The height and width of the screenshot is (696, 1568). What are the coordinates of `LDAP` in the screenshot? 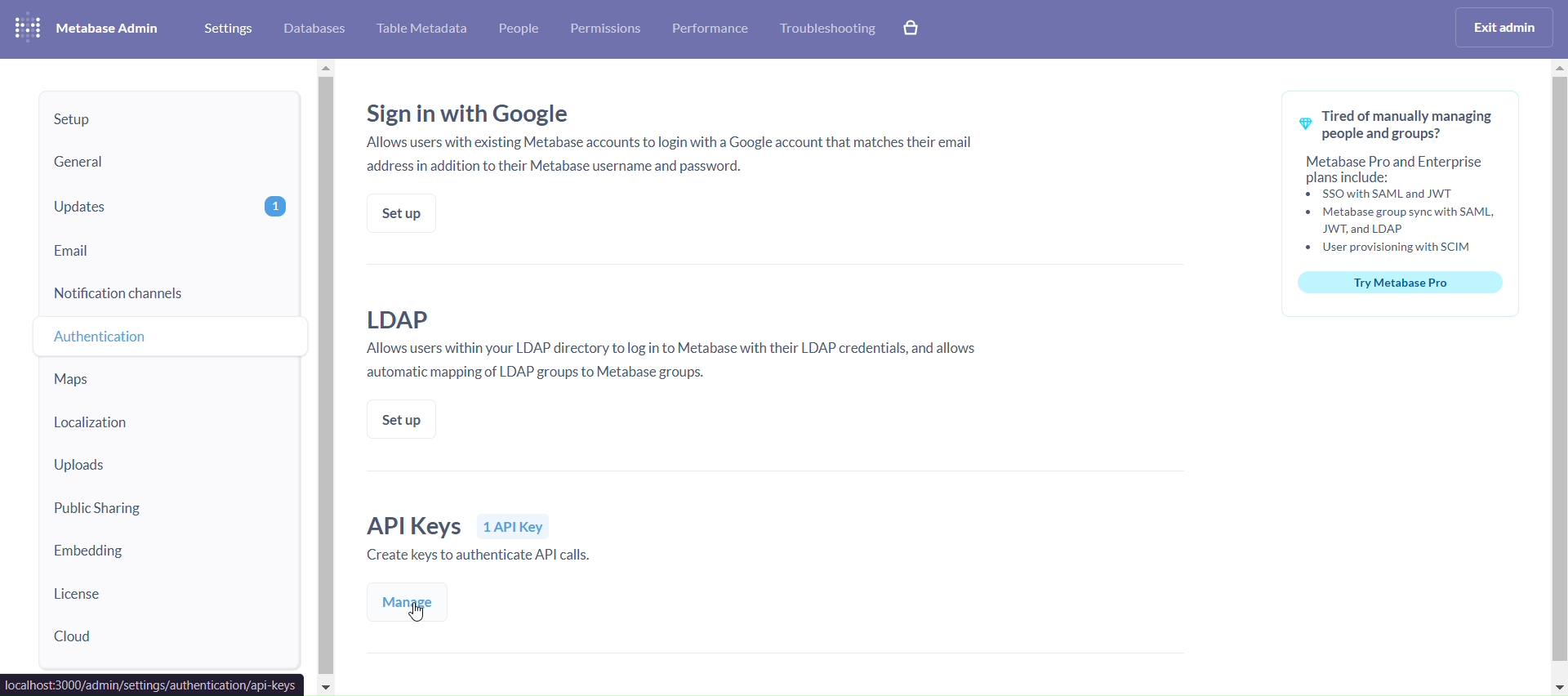 It's located at (683, 346).